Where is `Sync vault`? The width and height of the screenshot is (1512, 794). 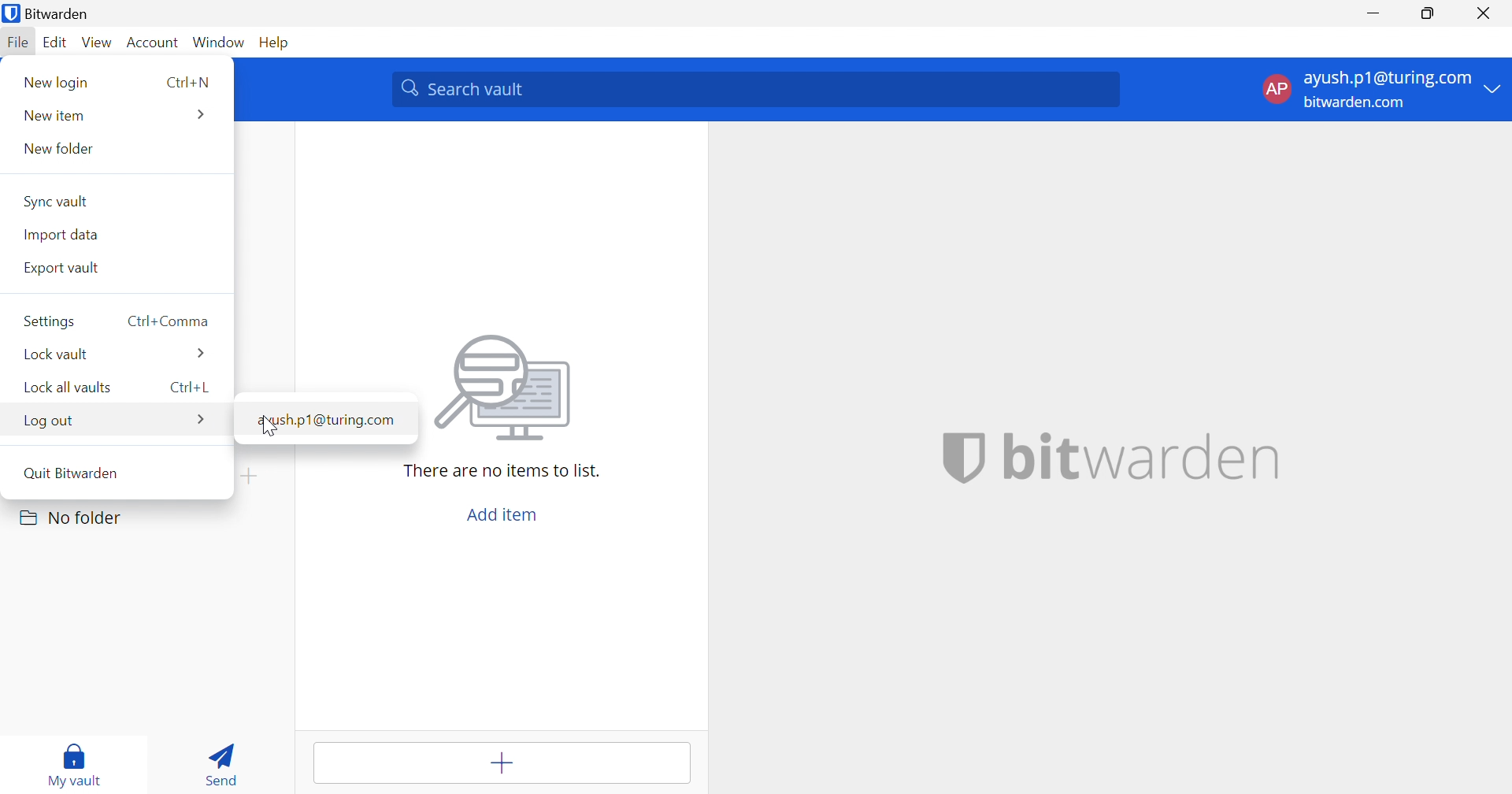
Sync vault is located at coordinates (57, 202).